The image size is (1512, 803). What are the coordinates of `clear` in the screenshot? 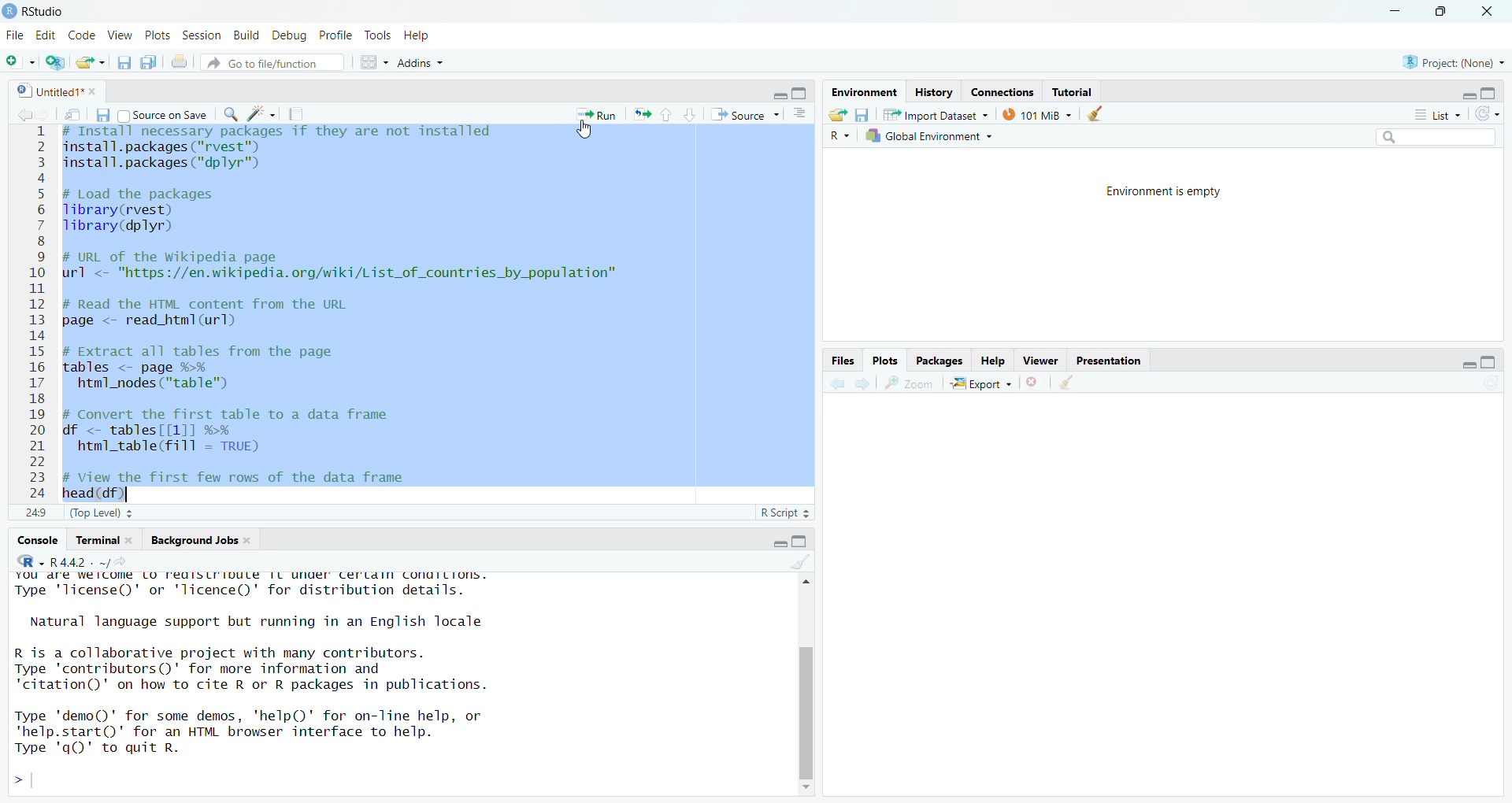 It's located at (801, 561).